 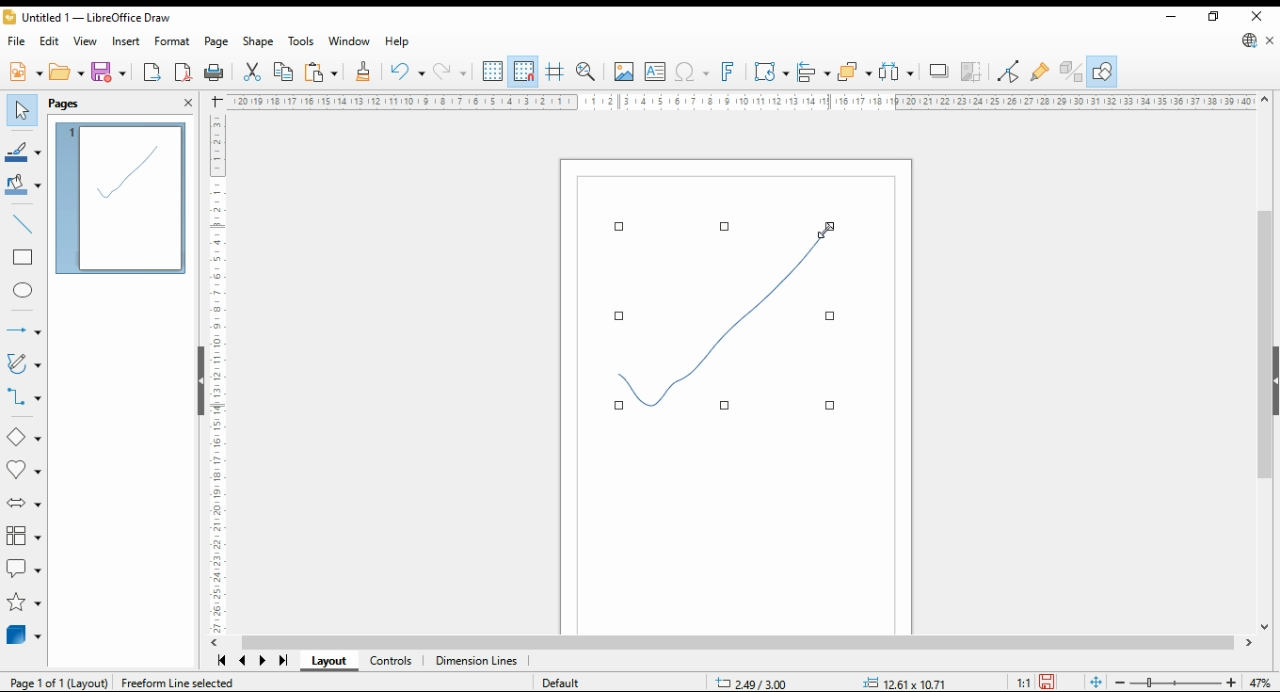 I want to click on previous page, so click(x=242, y=661).